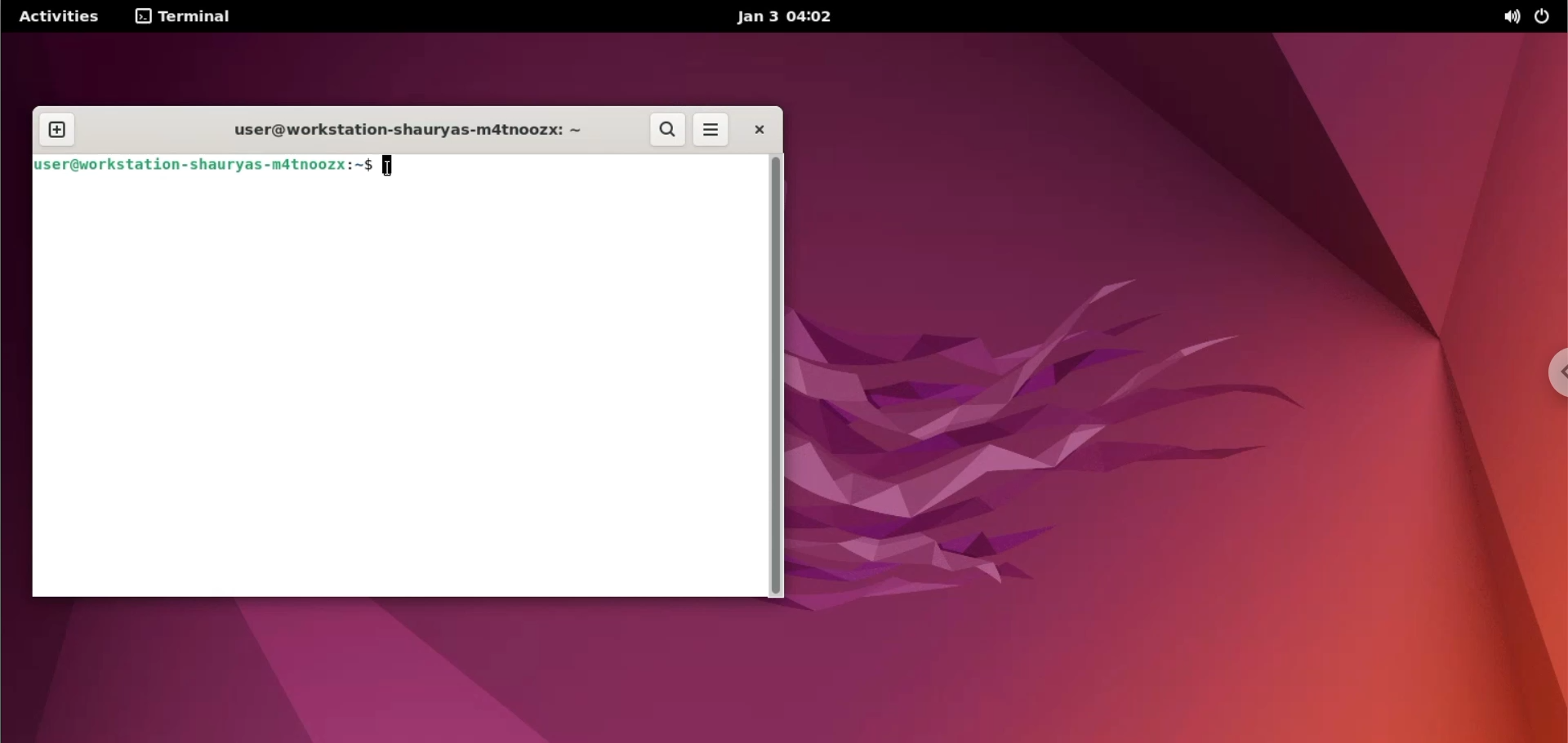 Image resolution: width=1568 pixels, height=743 pixels. Describe the element at coordinates (57, 17) in the screenshot. I see `Activities` at that location.